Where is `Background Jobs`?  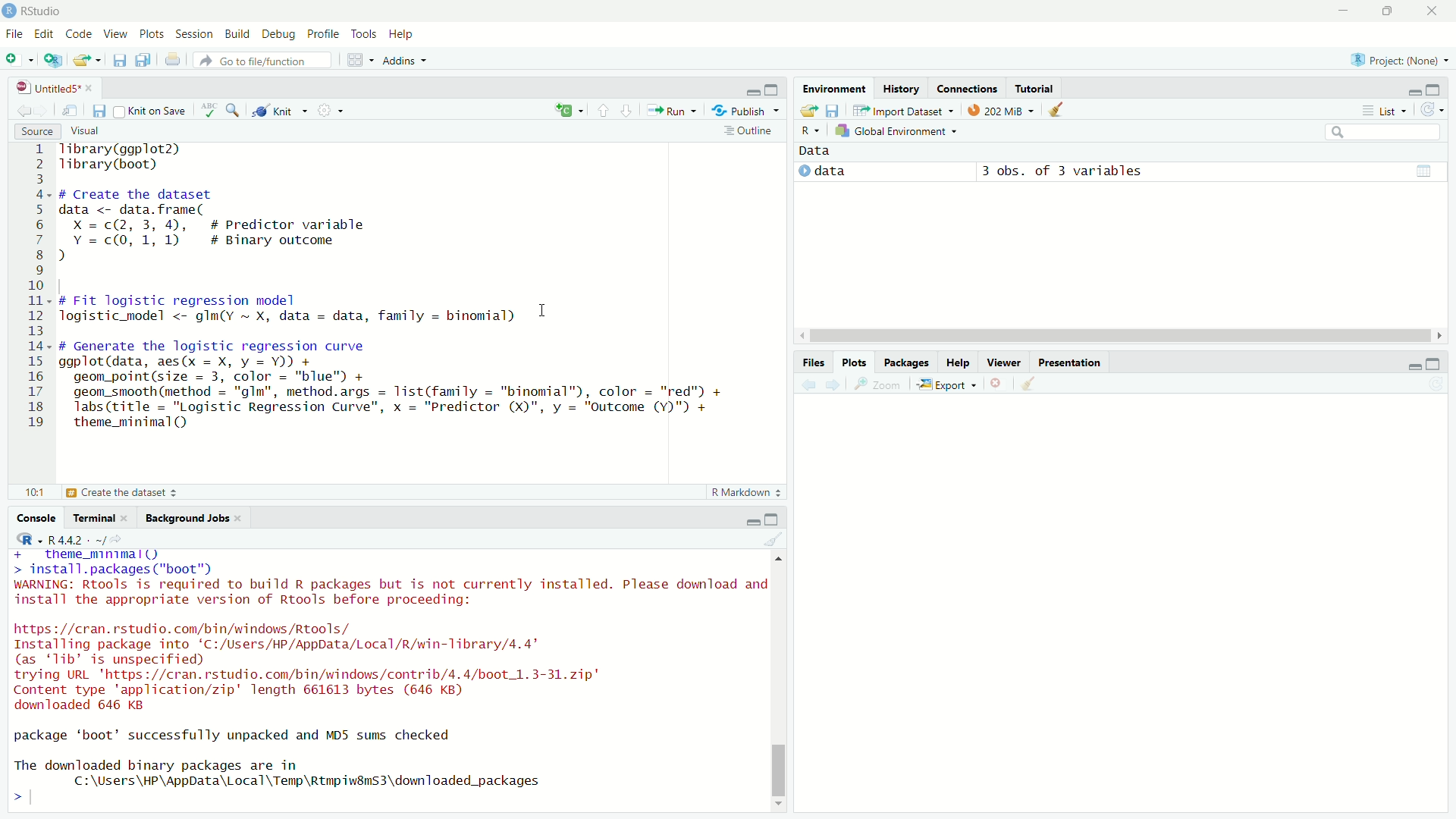
Background Jobs is located at coordinates (184, 518).